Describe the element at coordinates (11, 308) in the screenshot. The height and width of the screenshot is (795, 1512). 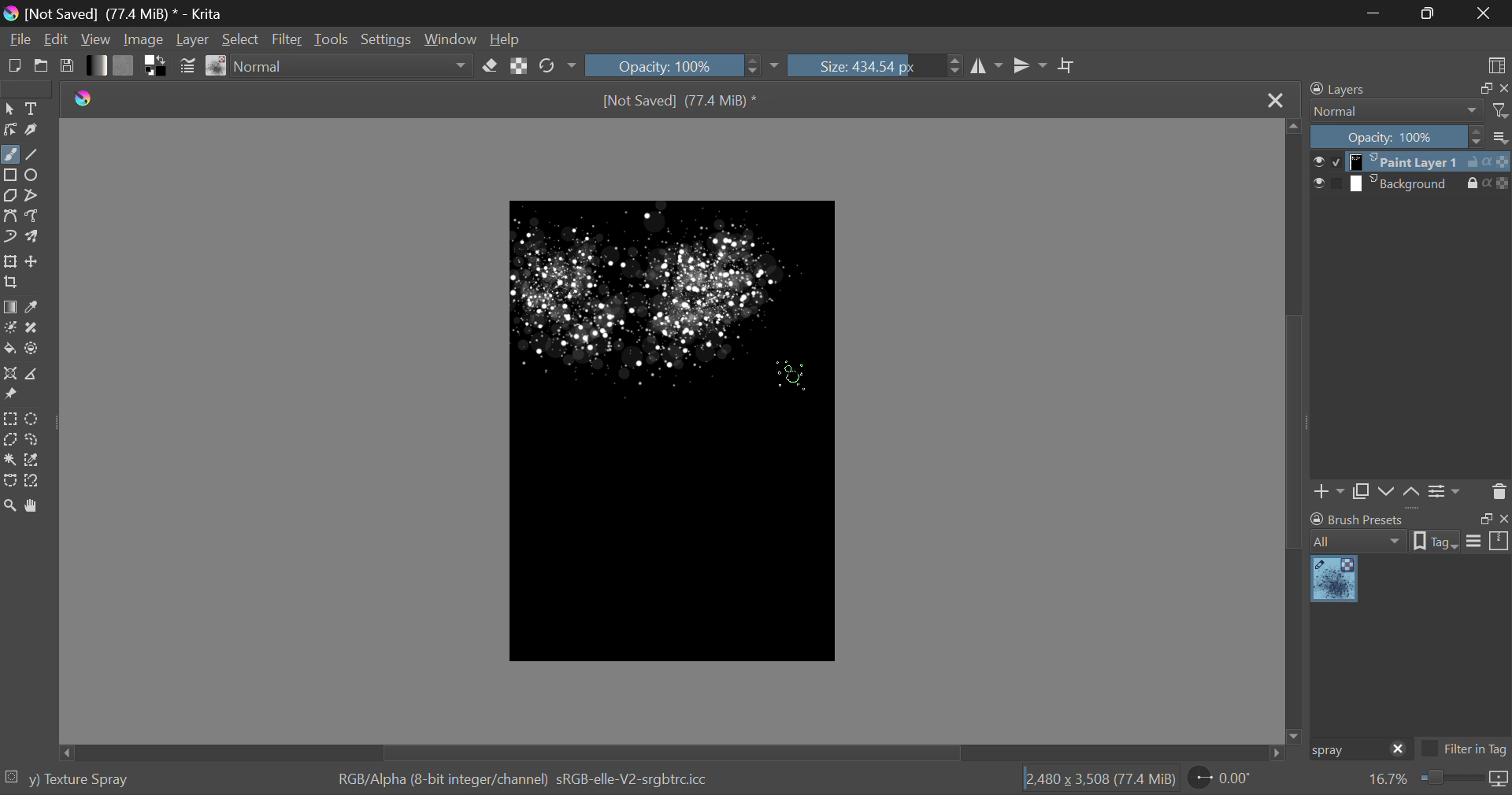
I see `Gradient Fill` at that location.